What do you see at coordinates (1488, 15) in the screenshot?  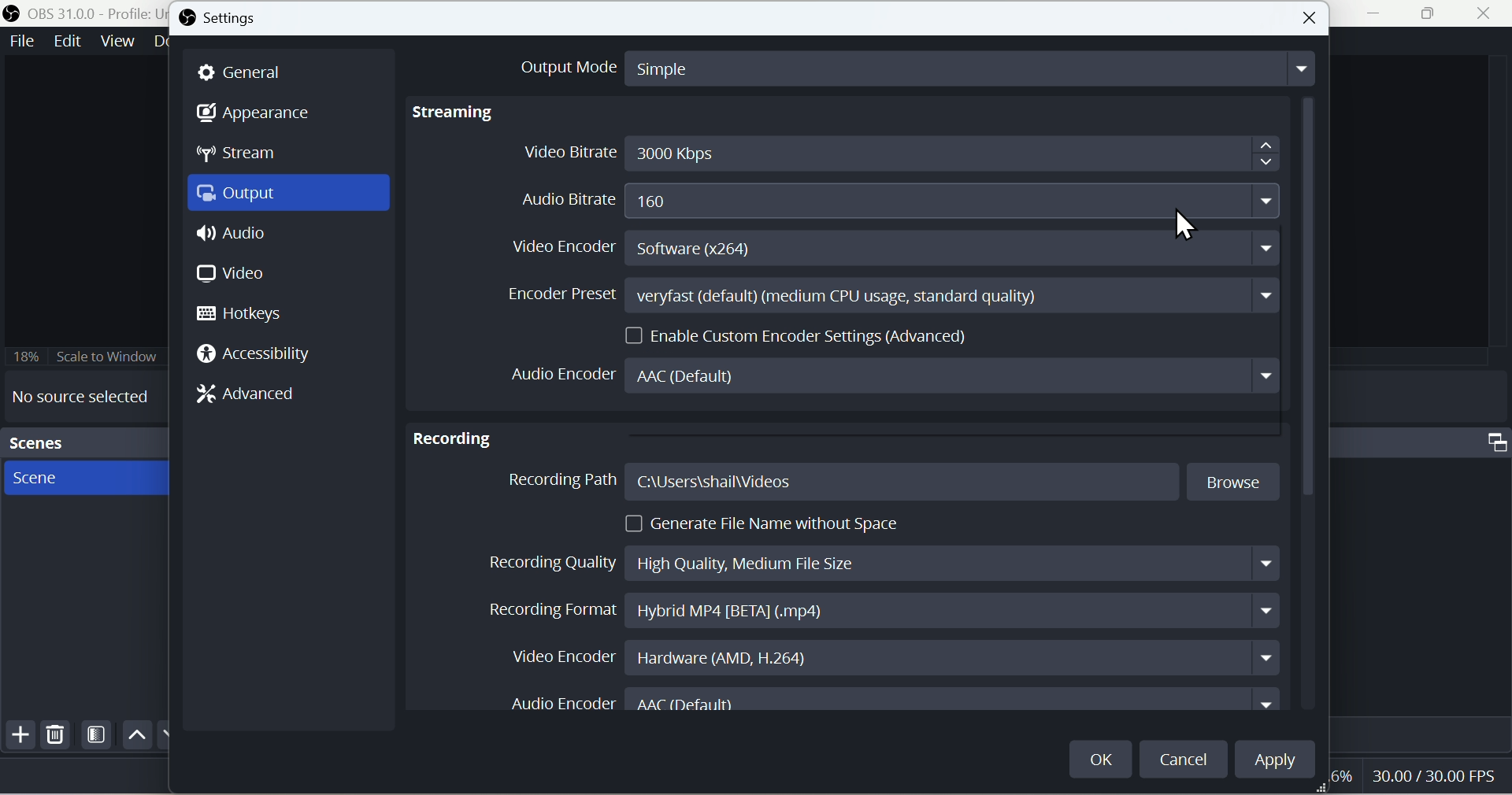 I see `close` at bounding box center [1488, 15].